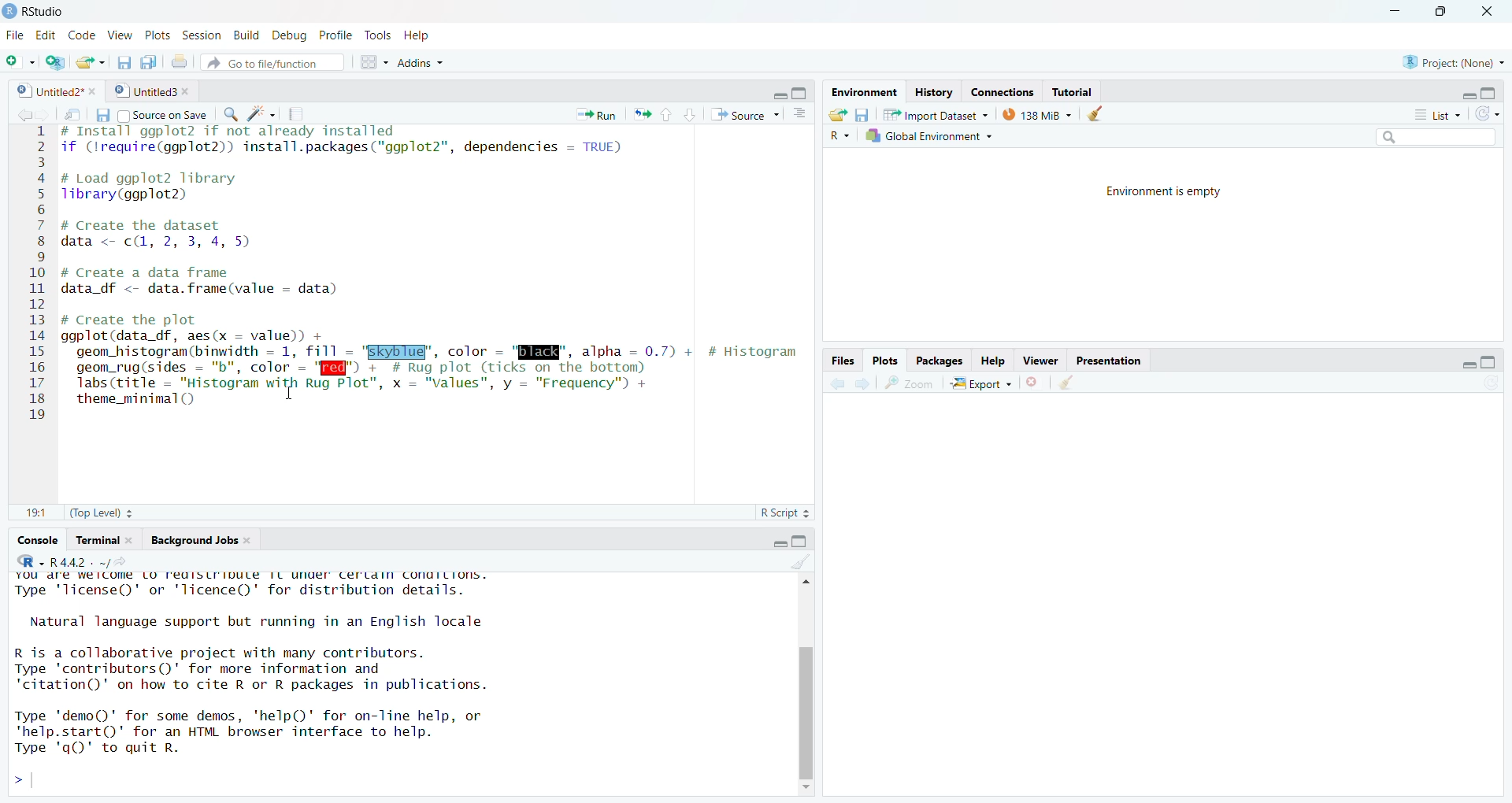 Image resolution: width=1512 pixels, height=803 pixels. I want to click on text cursor, so click(290, 386).